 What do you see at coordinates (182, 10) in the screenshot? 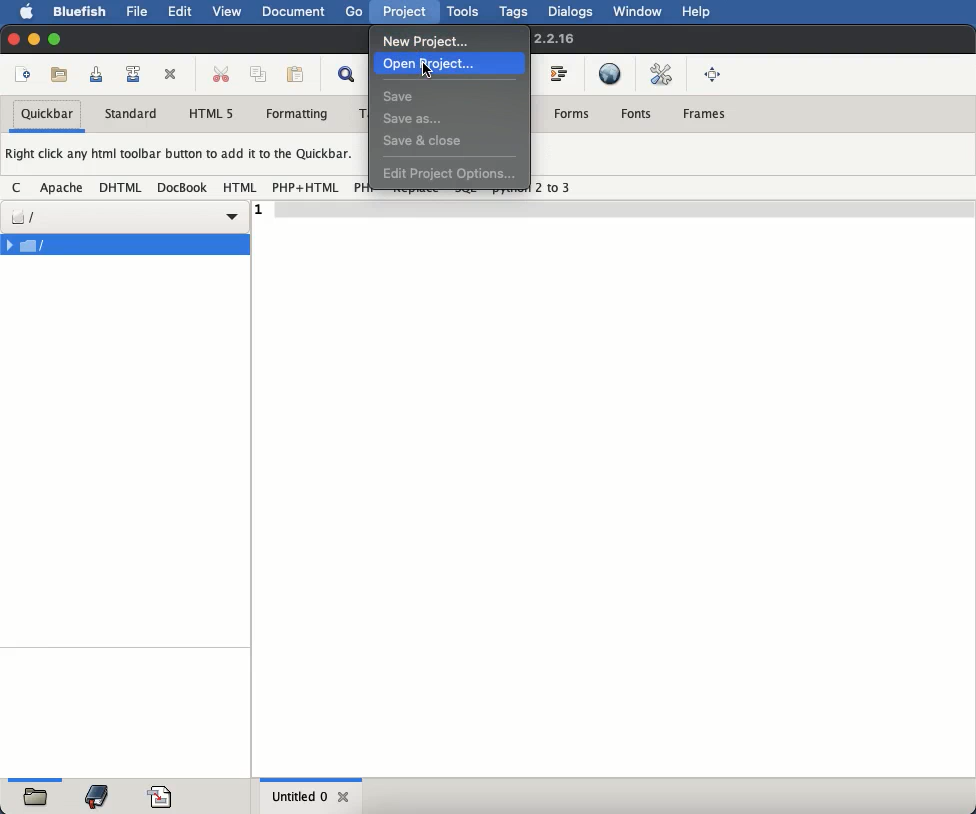
I see `edit` at bounding box center [182, 10].